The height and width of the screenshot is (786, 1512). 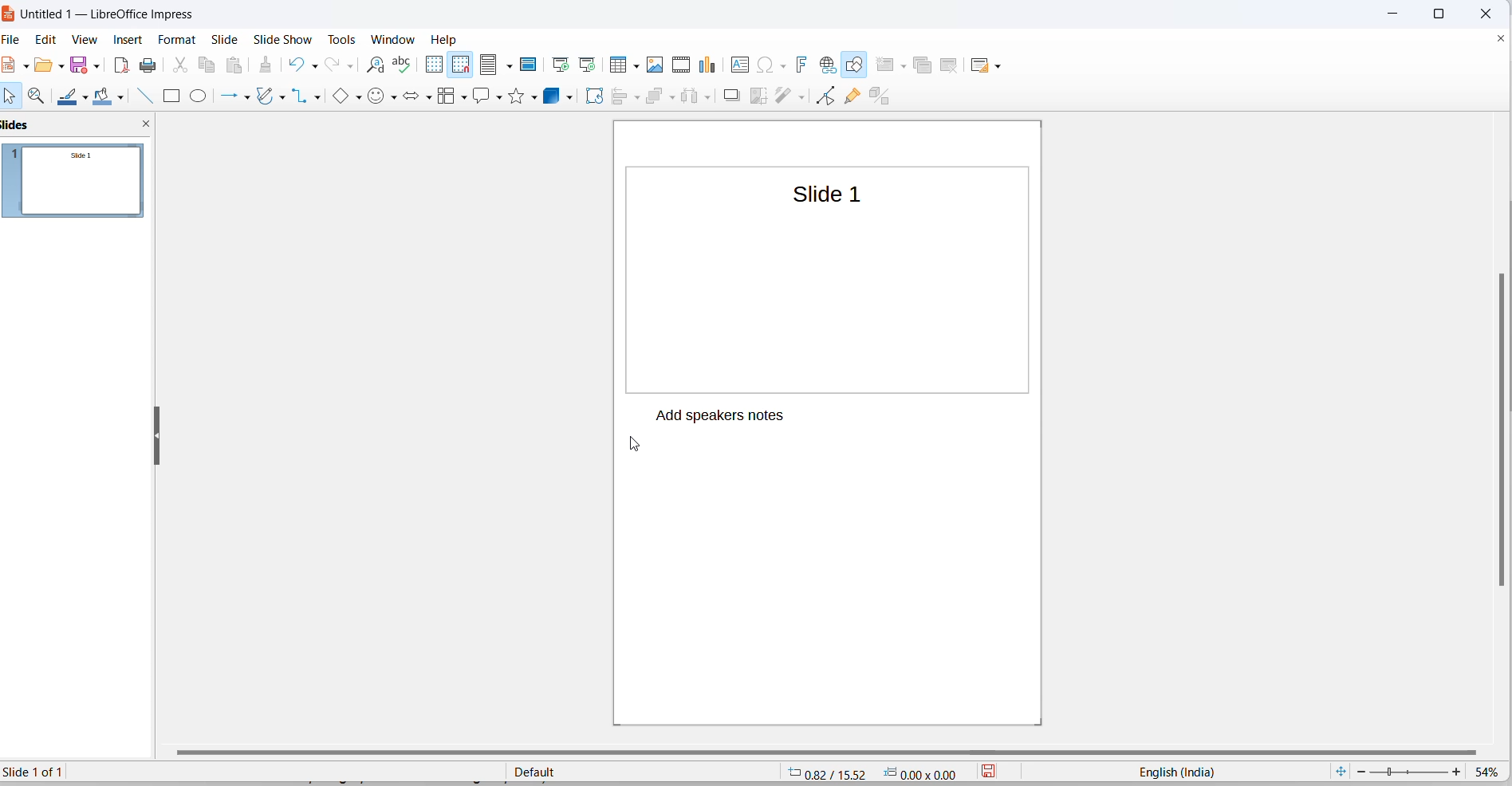 What do you see at coordinates (294, 64) in the screenshot?
I see `undo` at bounding box center [294, 64].